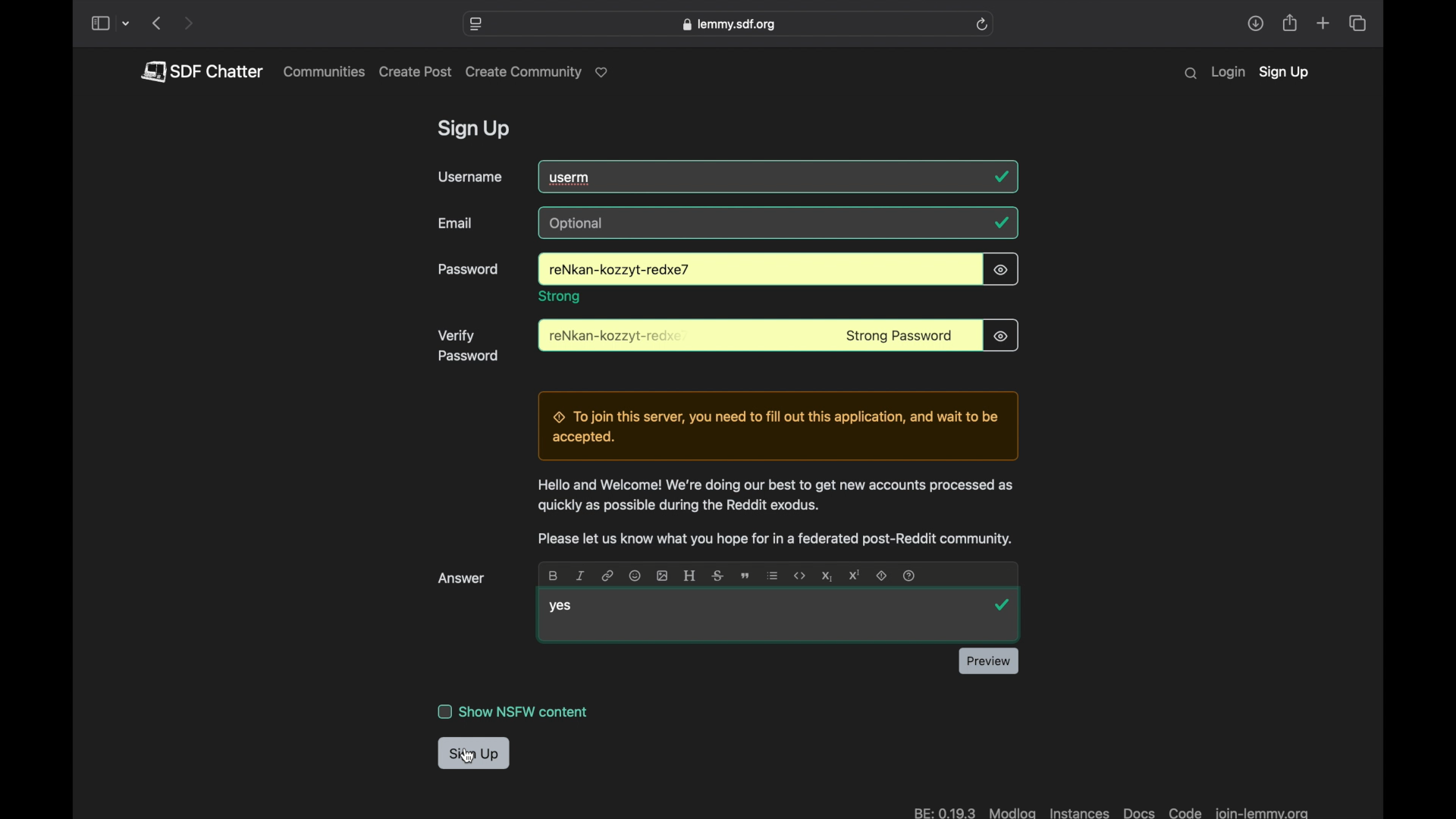  I want to click on search, so click(1191, 74).